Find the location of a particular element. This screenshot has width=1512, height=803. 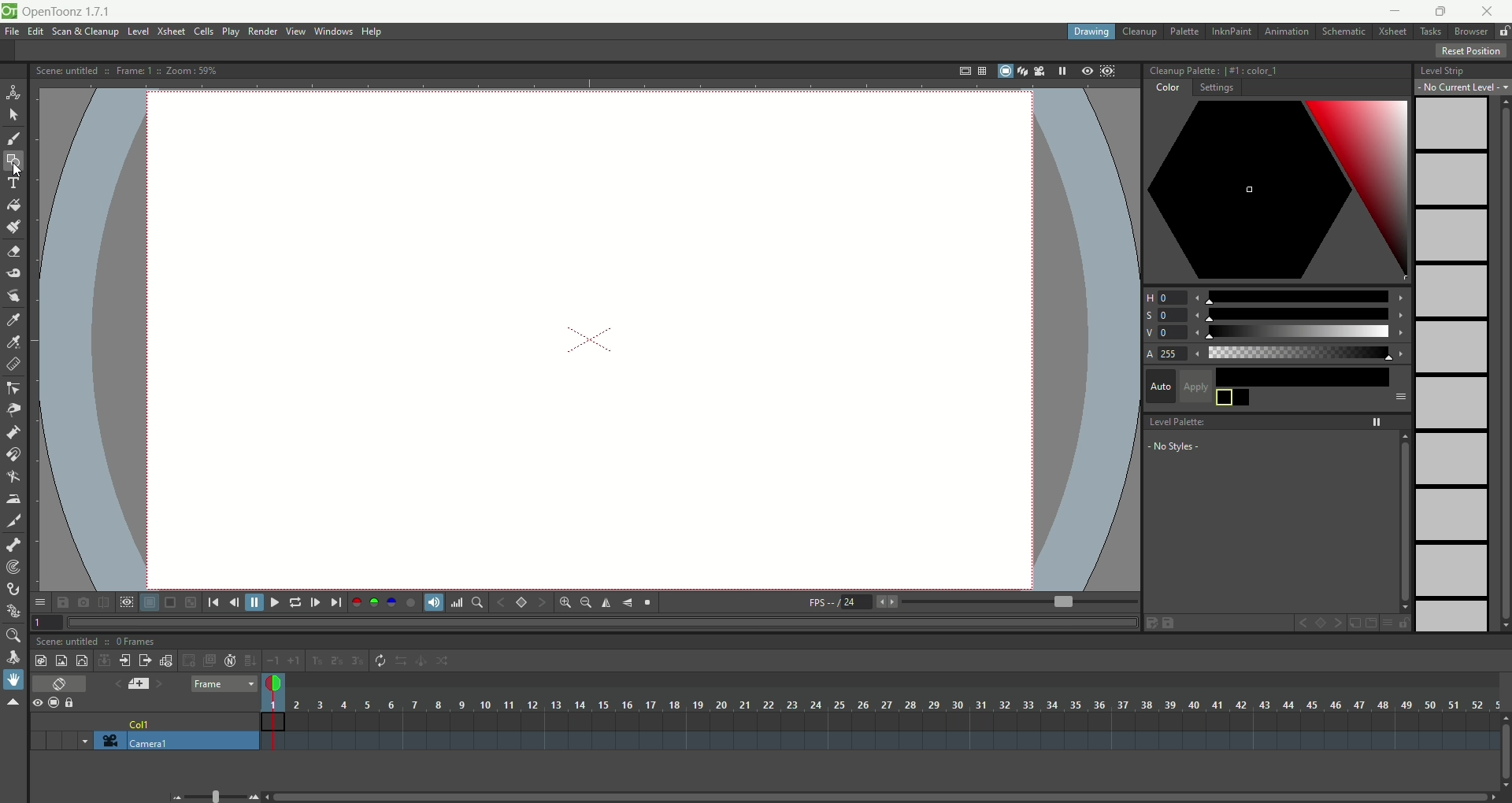

blue channel is located at coordinates (389, 601).